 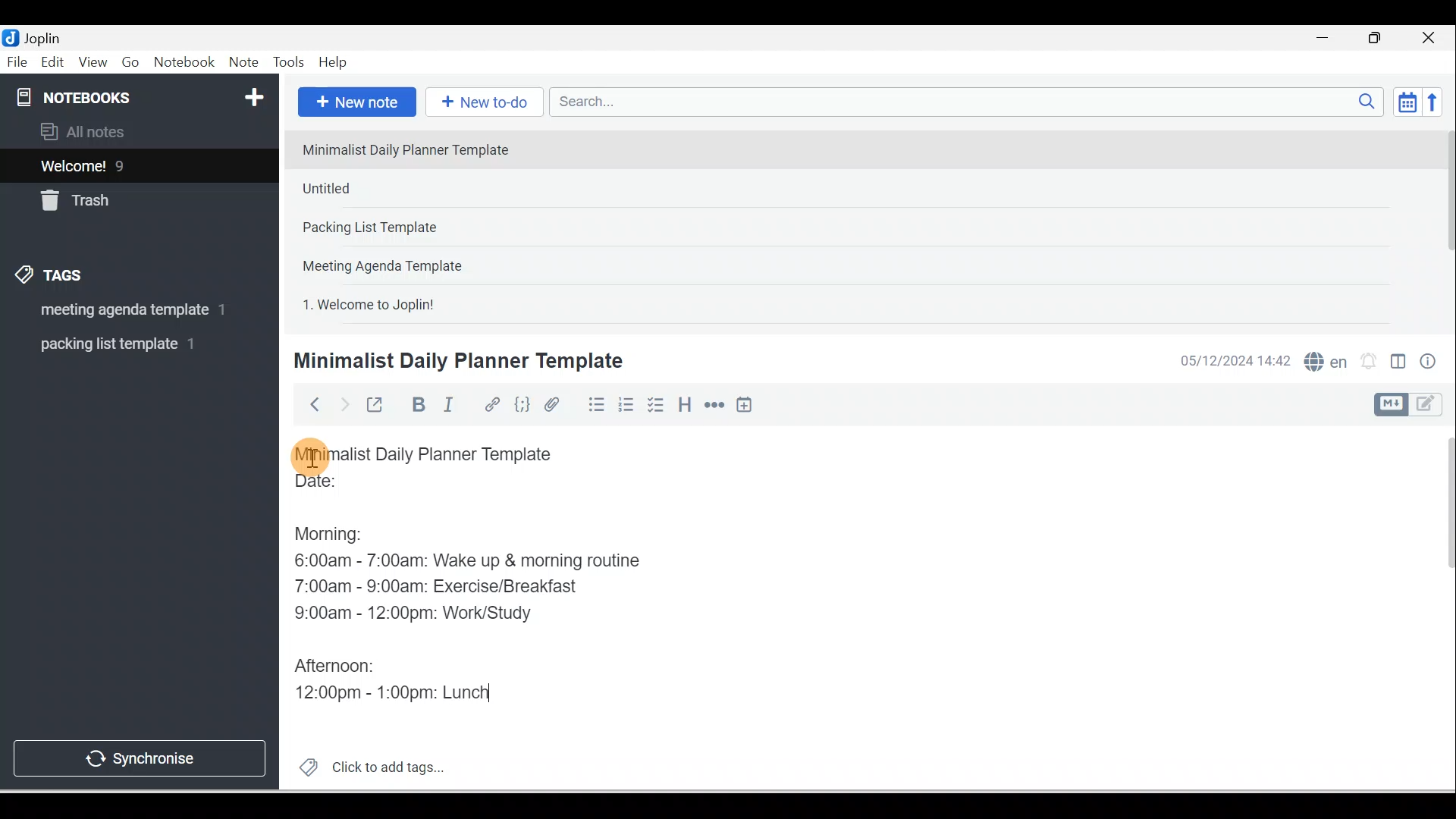 What do you see at coordinates (456, 361) in the screenshot?
I see `Minimalist Daily Planner Template` at bounding box center [456, 361].